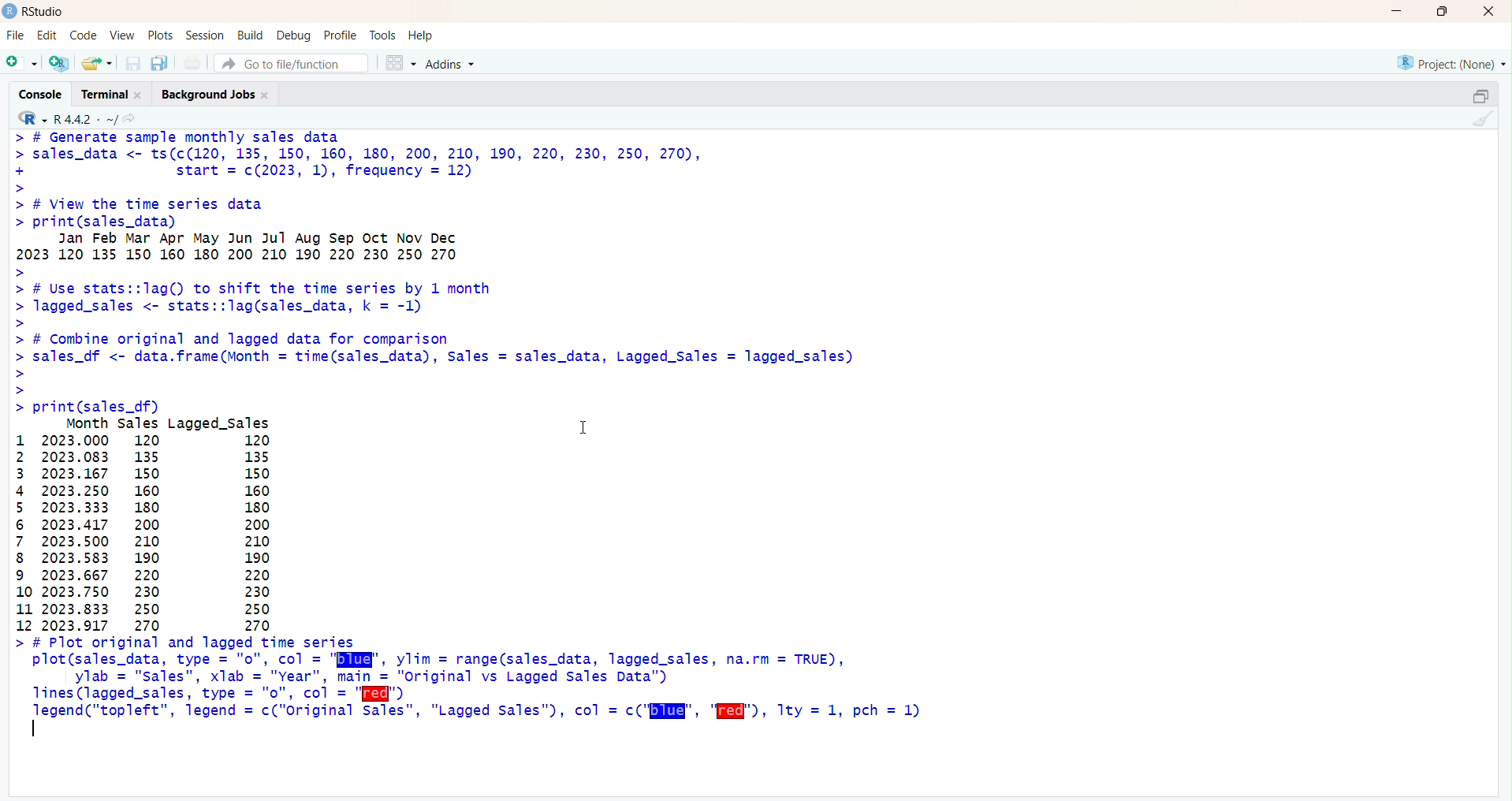 The image size is (1512, 801). Describe the element at coordinates (1394, 12) in the screenshot. I see `minimize` at that location.